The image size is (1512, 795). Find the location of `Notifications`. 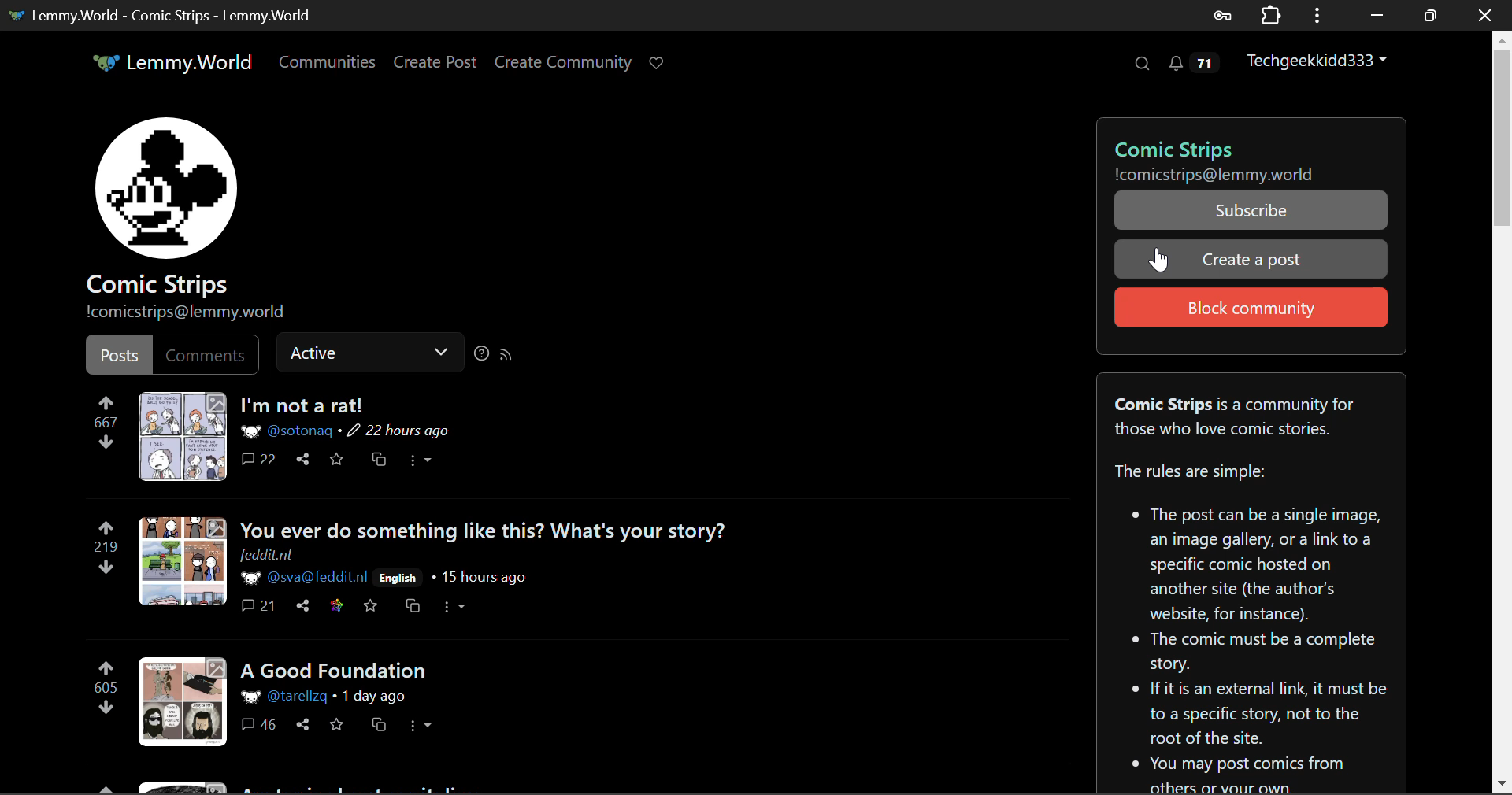

Notifications is located at coordinates (1190, 63).